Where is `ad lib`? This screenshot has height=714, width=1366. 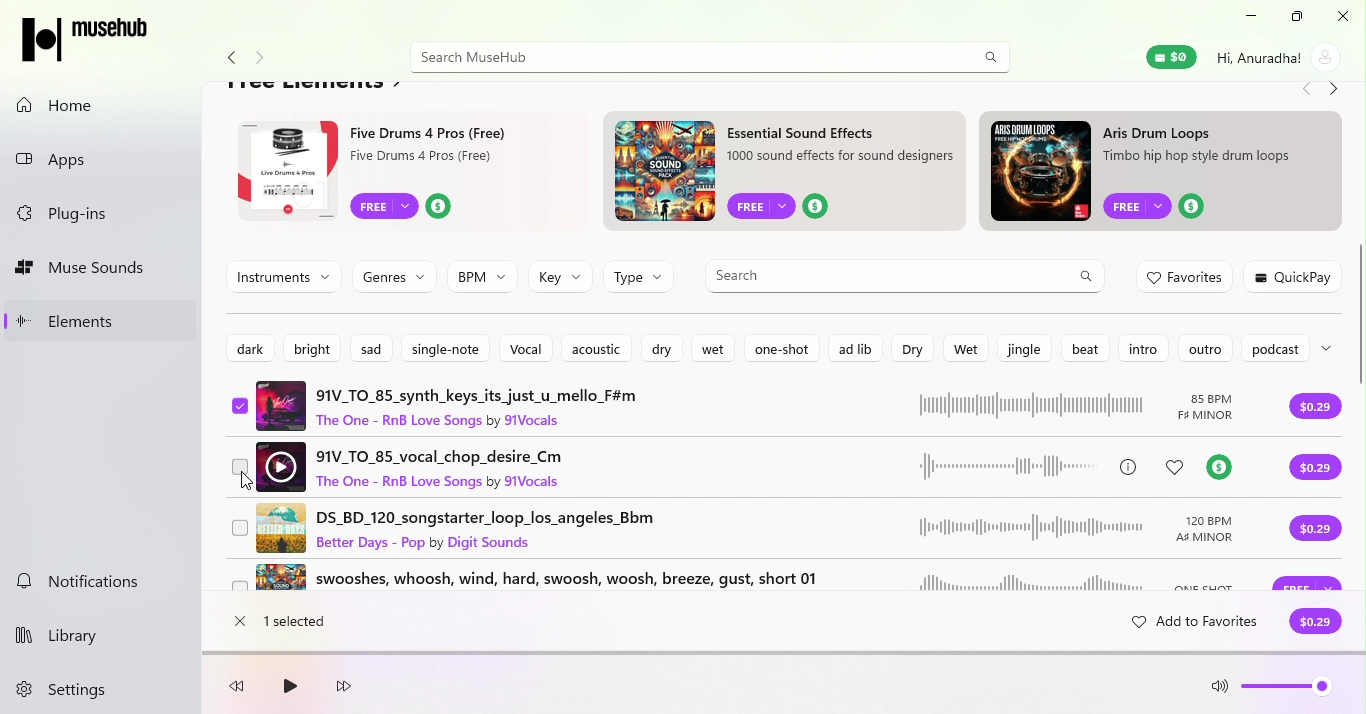 ad lib is located at coordinates (852, 347).